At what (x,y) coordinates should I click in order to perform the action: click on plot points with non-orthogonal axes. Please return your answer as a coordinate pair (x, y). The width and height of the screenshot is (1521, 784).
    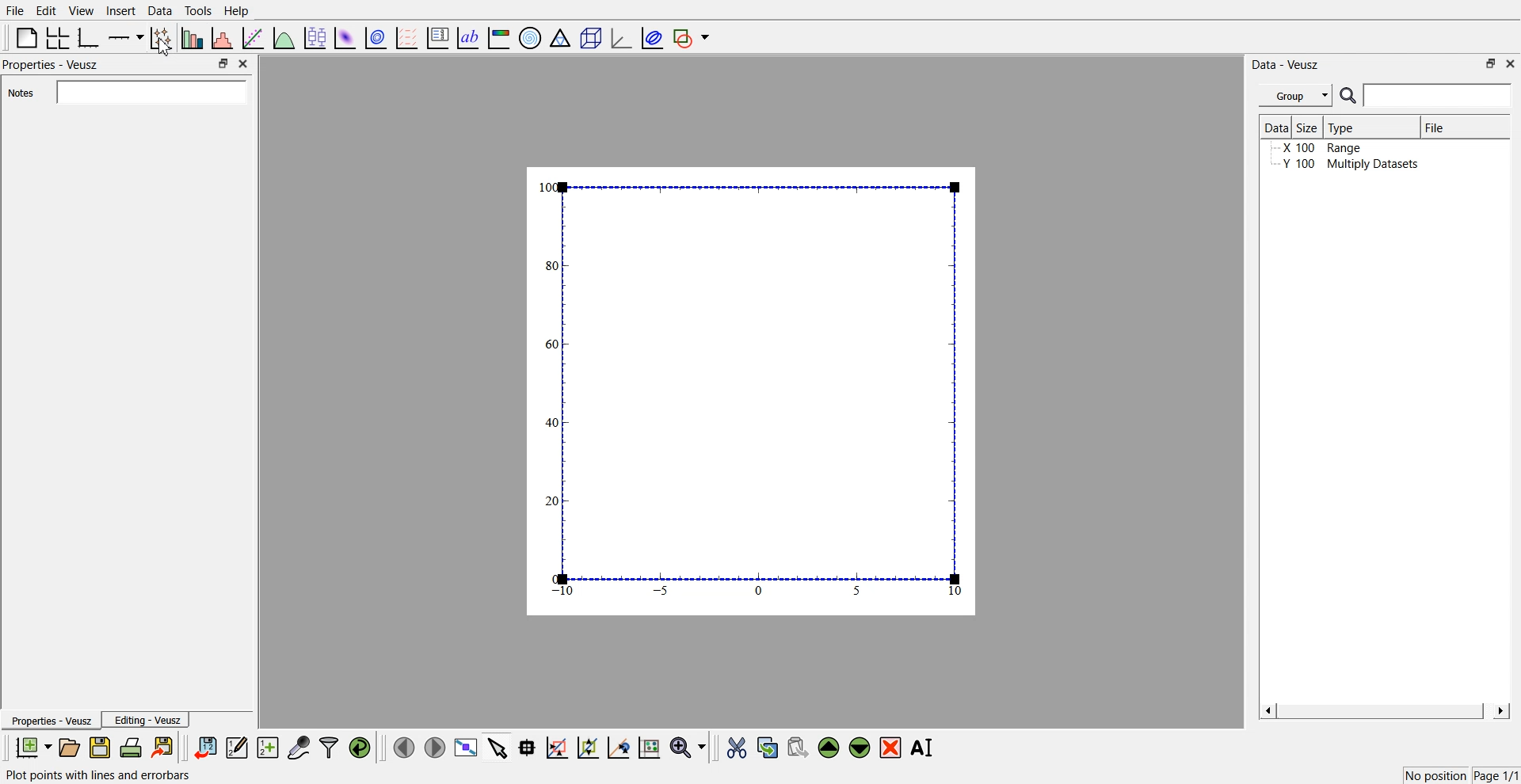
    Looking at the image, I should click on (160, 37).